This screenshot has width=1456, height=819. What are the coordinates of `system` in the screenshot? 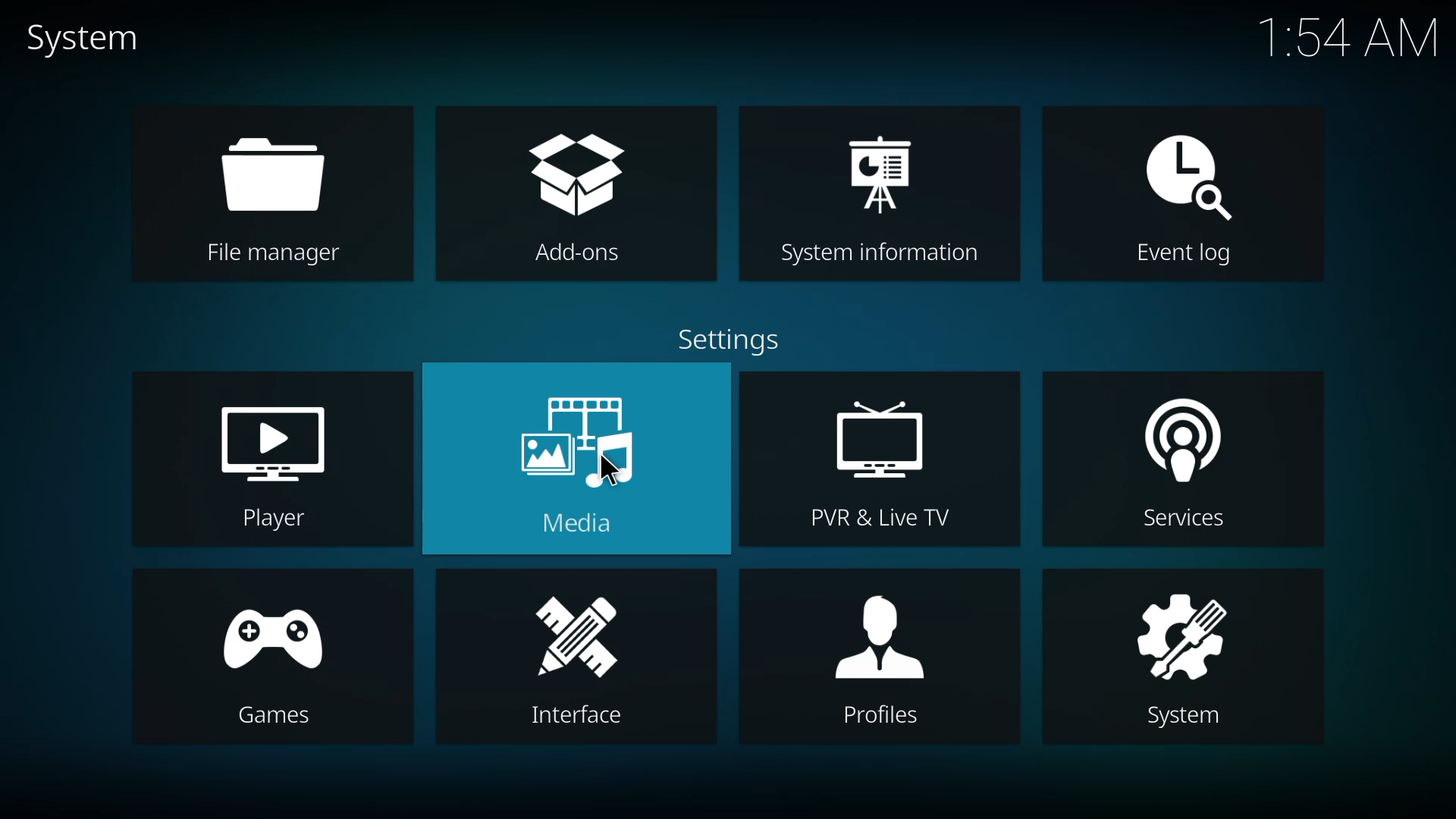 It's located at (1183, 664).